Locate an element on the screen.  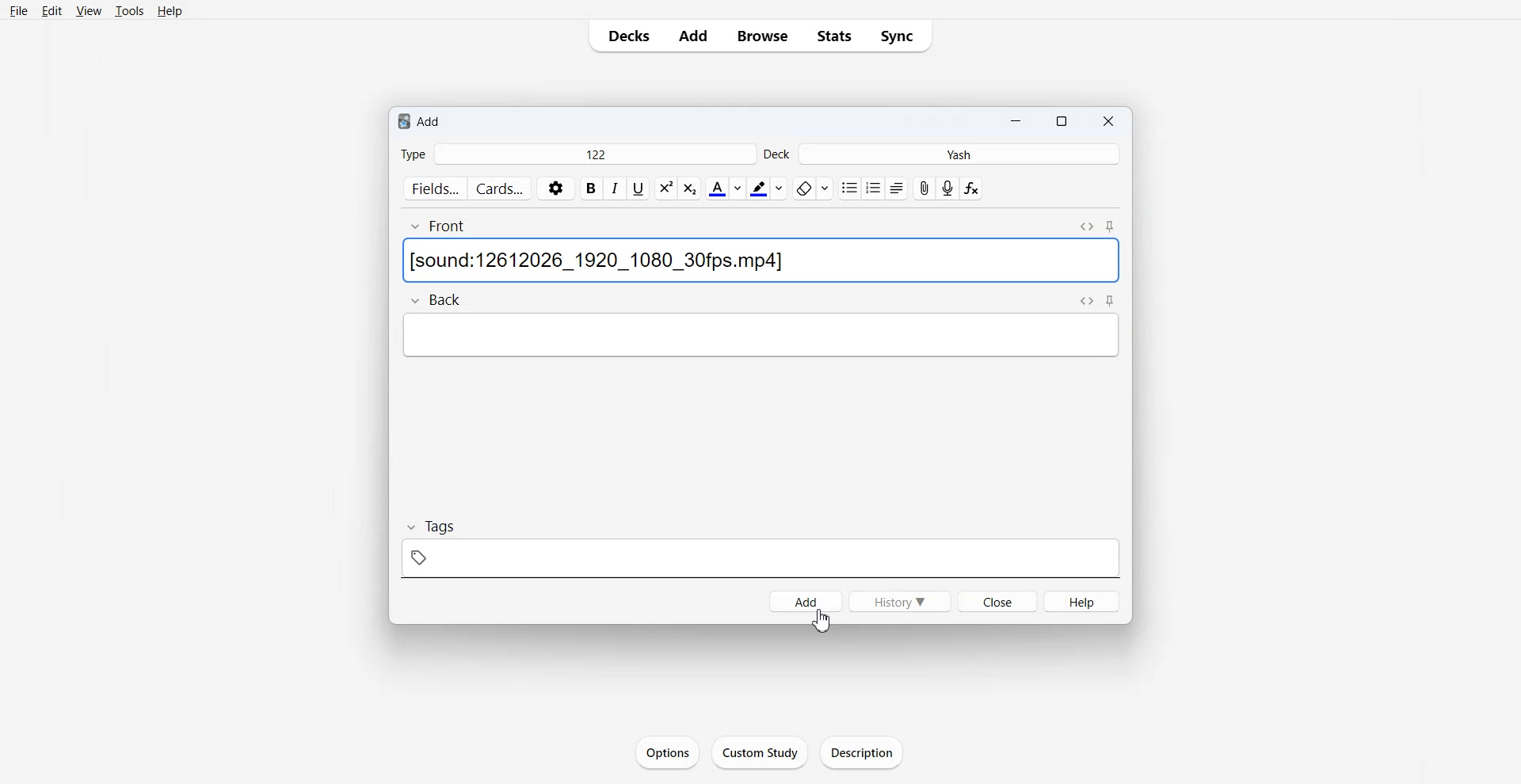
Toggle sticky is located at coordinates (1112, 302).